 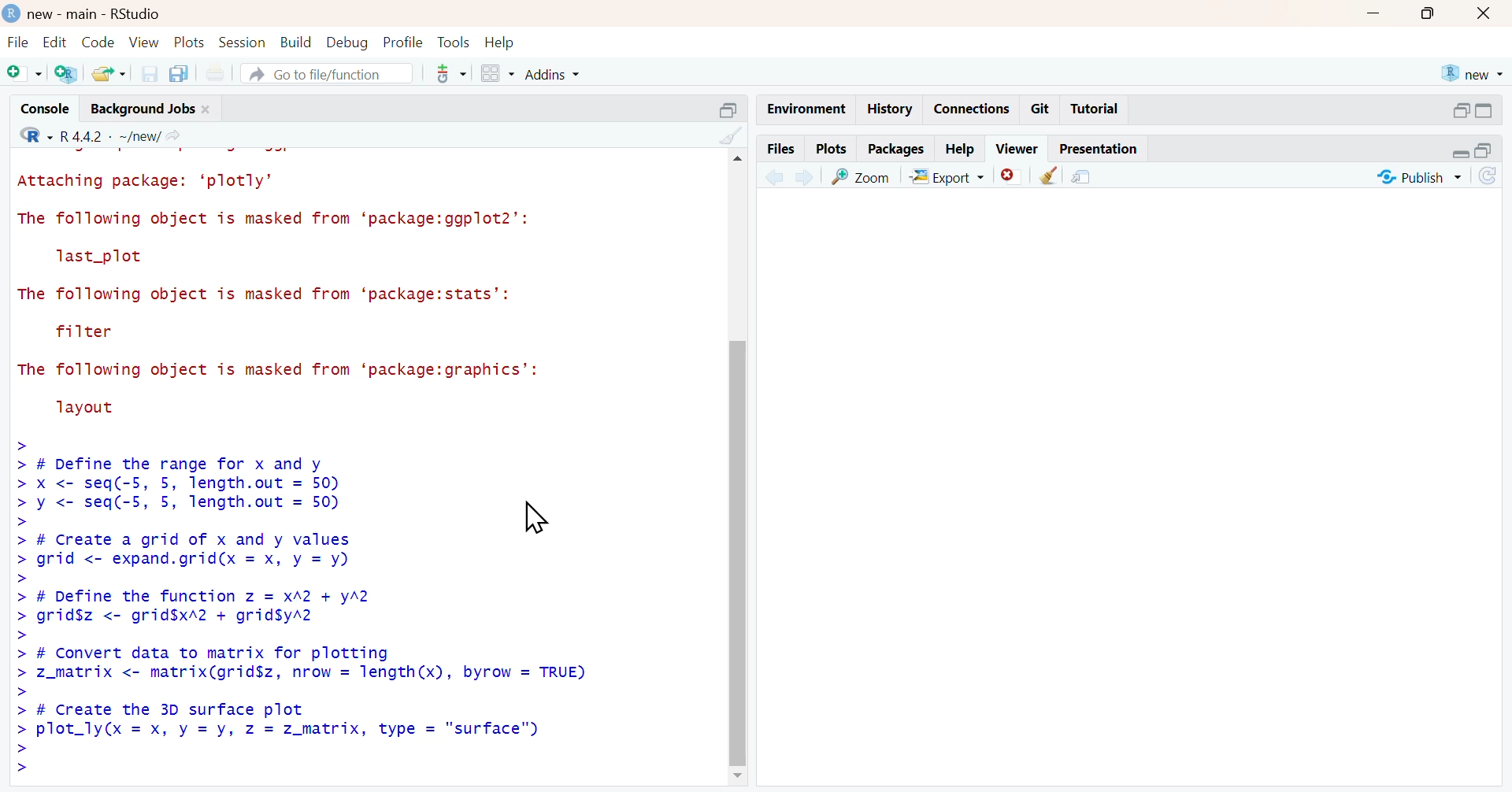 I want to click on maximize, so click(x=726, y=109).